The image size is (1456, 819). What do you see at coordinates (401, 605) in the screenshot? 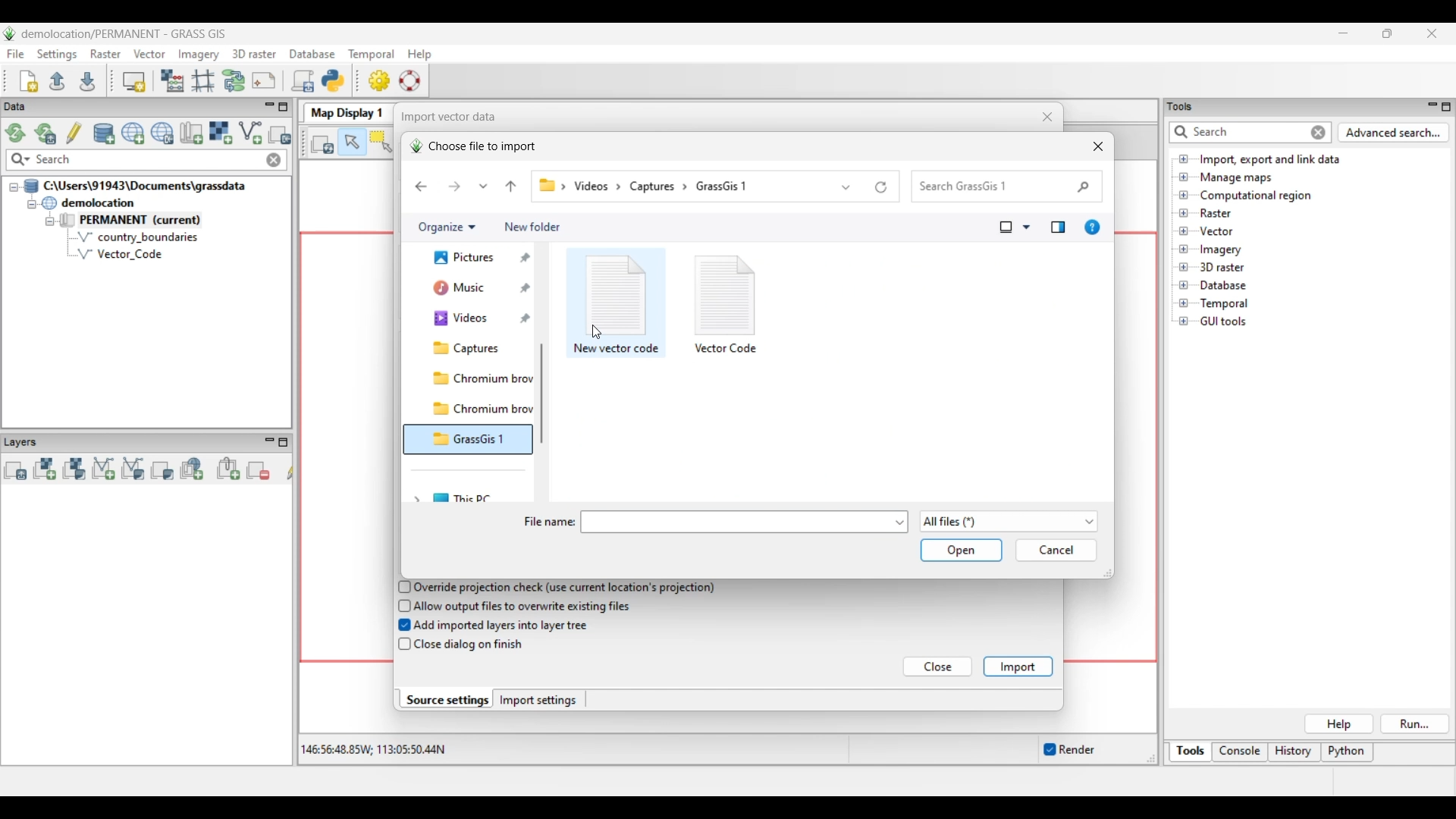
I see `checkbox` at bounding box center [401, 605].